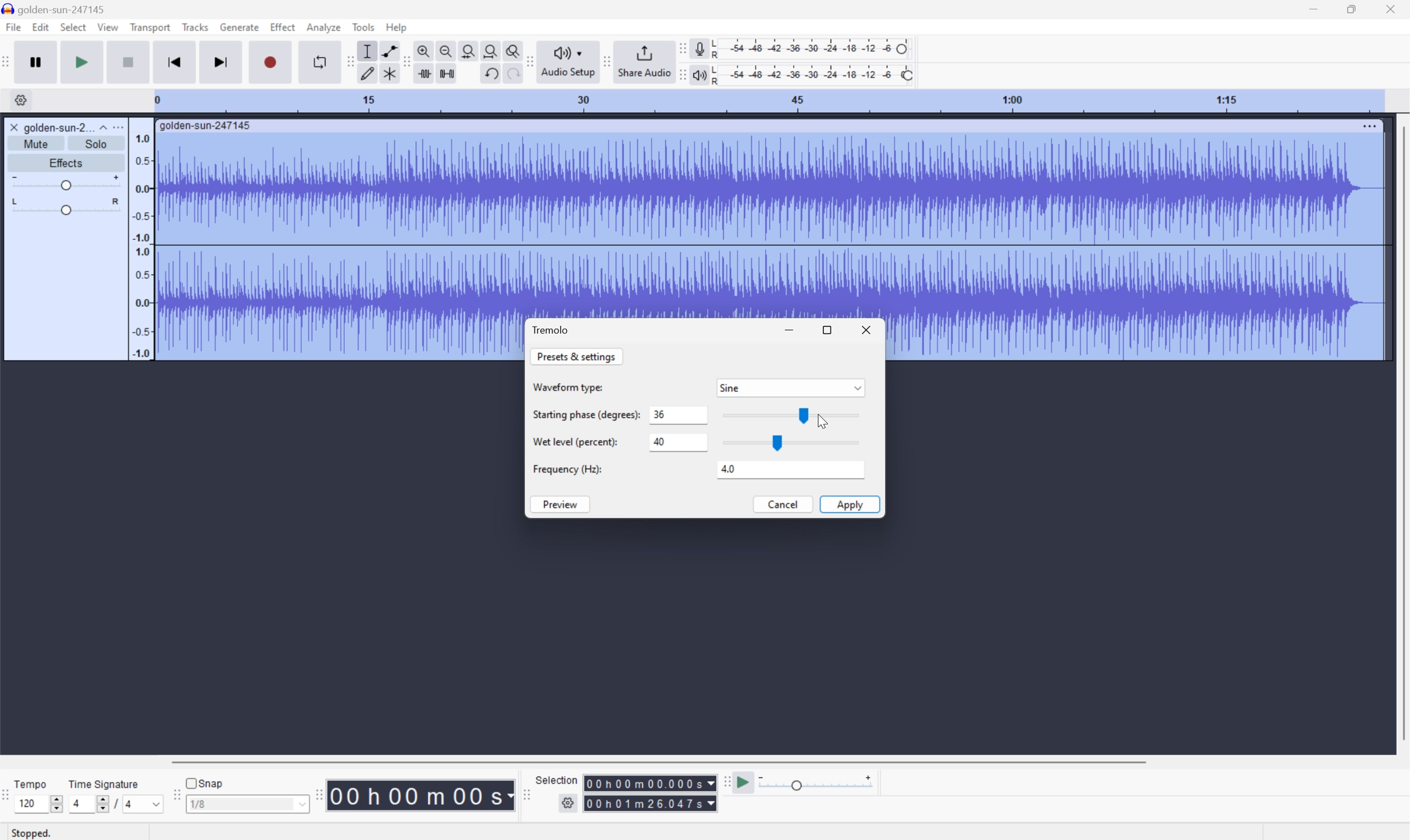 This screenshot has height=840, width=1410. What do you see at coordinates (1313, 8) in the screenshot?
I see `Minimize` at bounding box center [1313, 8].